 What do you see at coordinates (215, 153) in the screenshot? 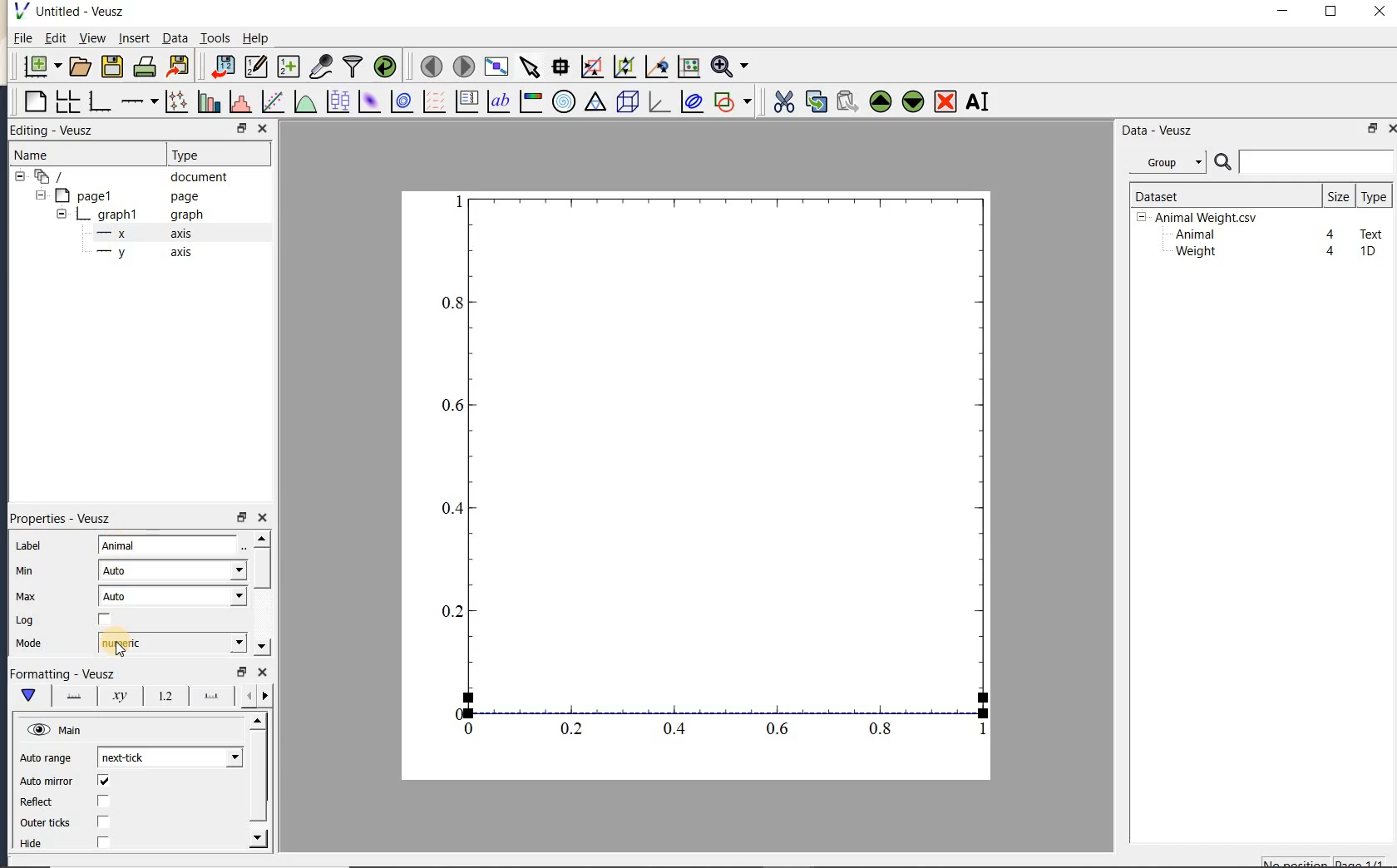
I see `Type` at bounding box center [215, 153].